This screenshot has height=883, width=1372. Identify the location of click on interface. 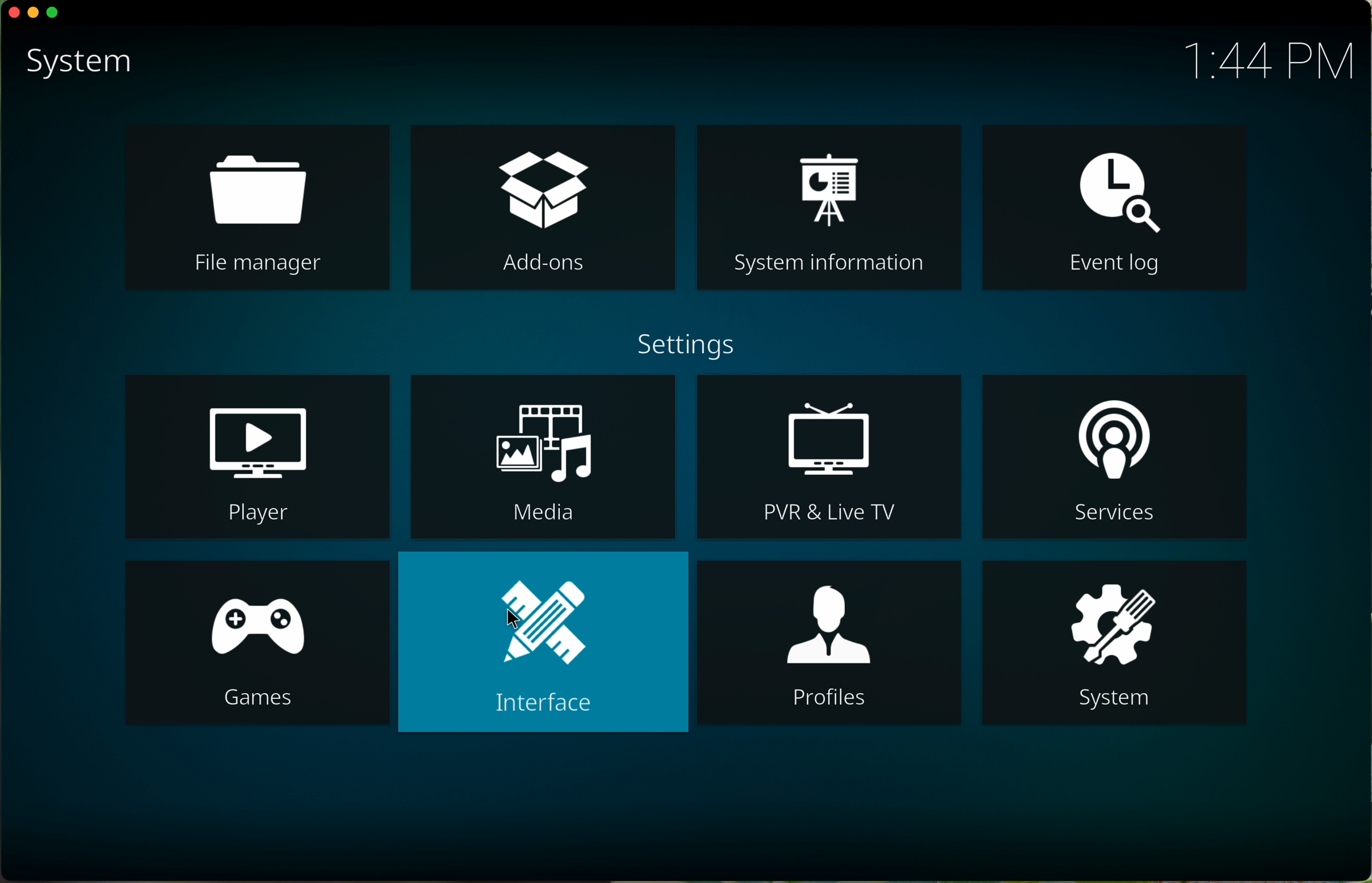
(544, 642).